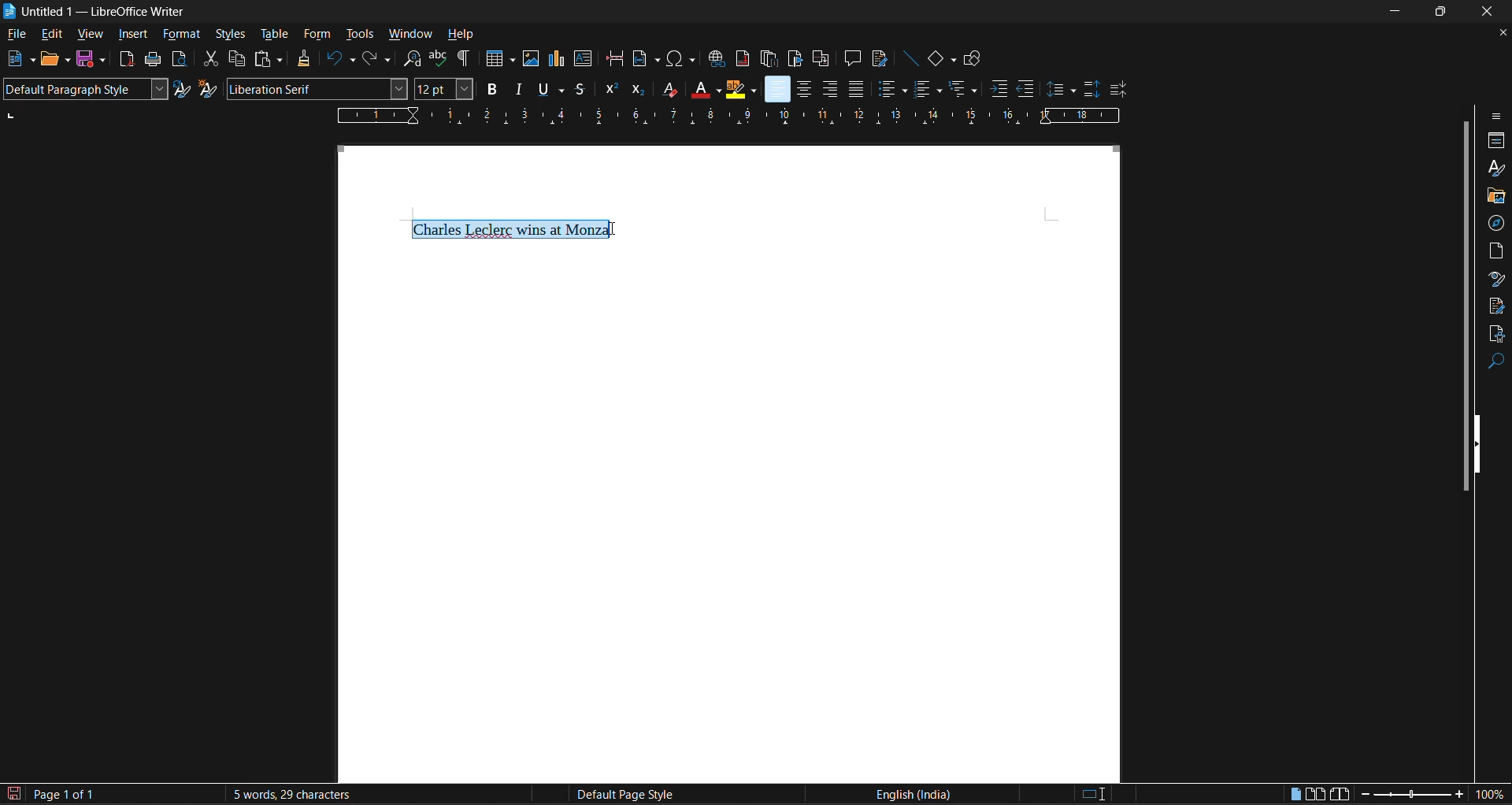 The image size is (1512, 805). I want to click on clone formatting, so click(302, 58).